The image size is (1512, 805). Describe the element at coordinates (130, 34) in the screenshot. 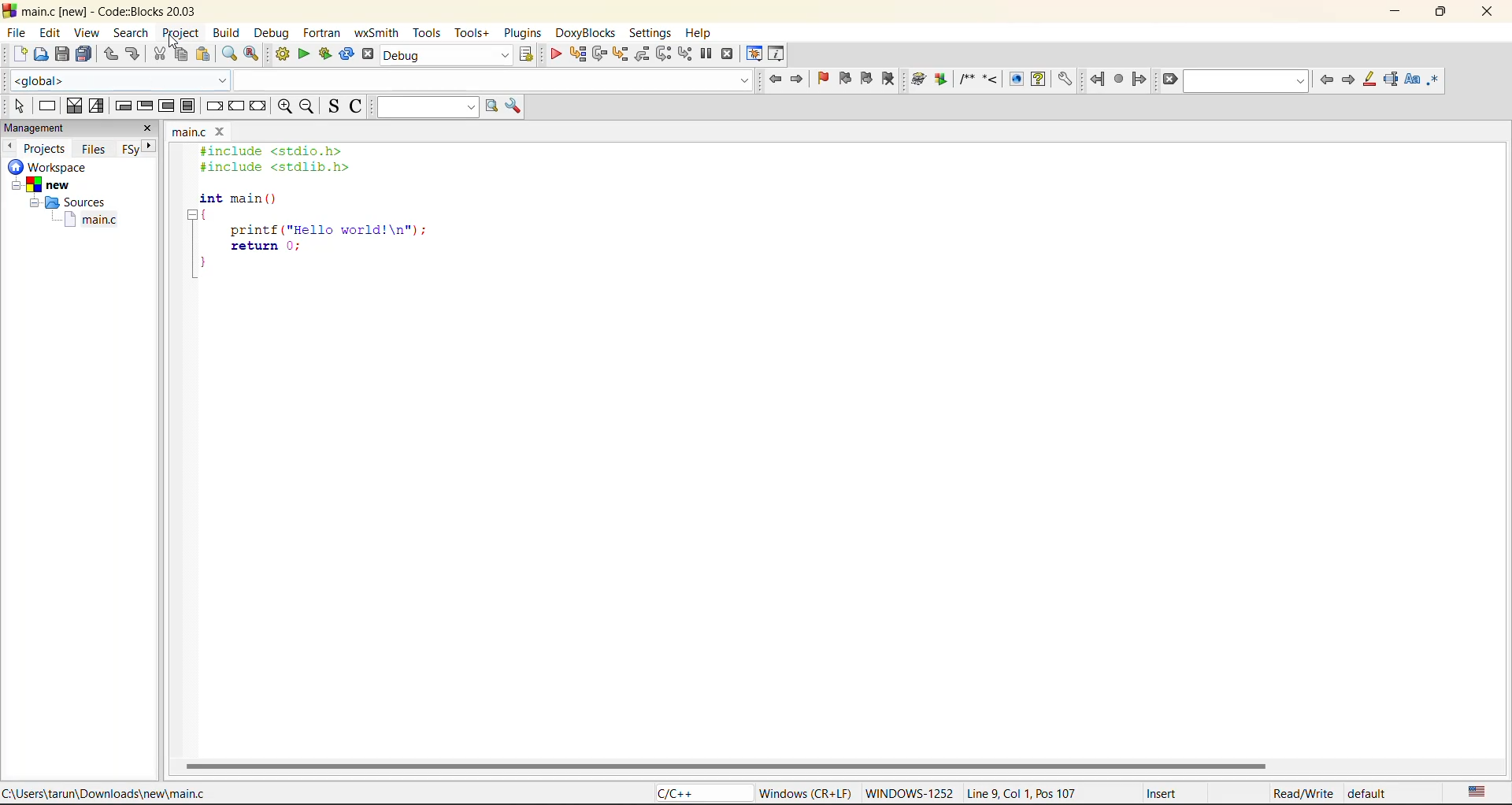

I see `search` at that location.